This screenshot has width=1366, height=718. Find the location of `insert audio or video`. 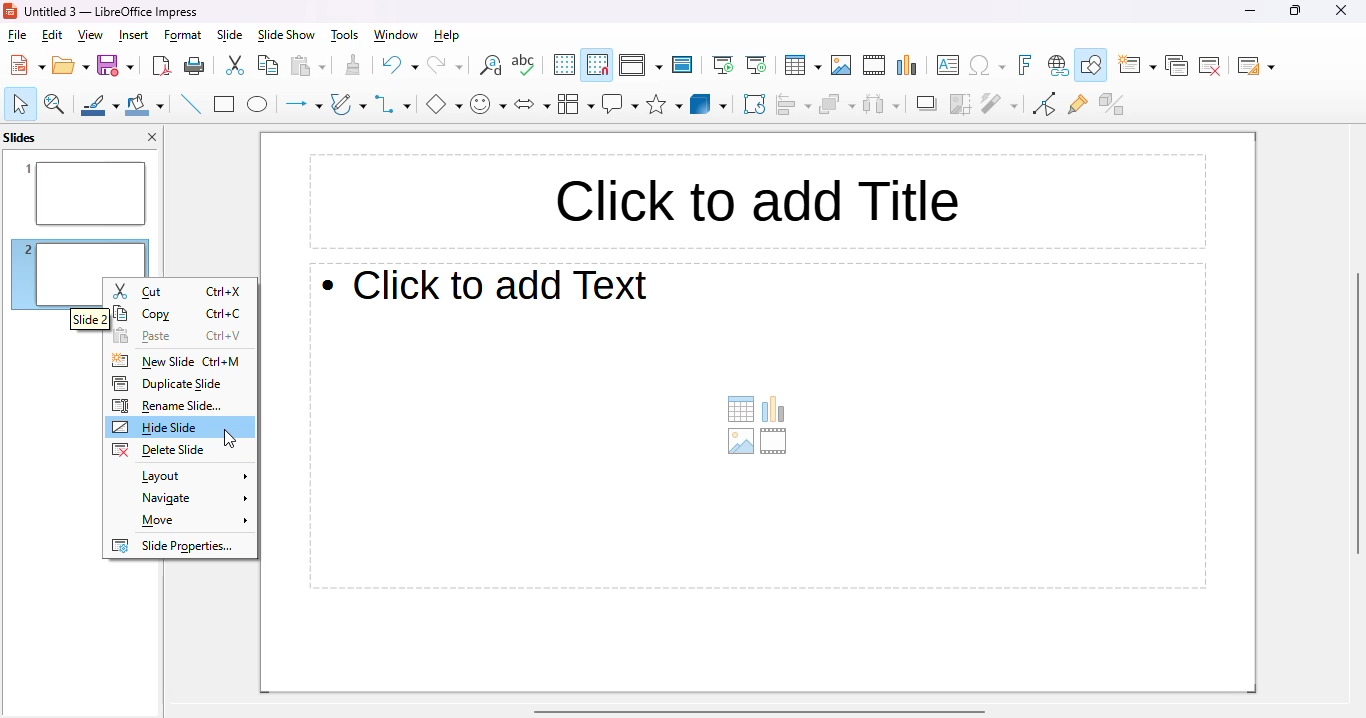

insert audio or video is located at coordinates (875, 65).